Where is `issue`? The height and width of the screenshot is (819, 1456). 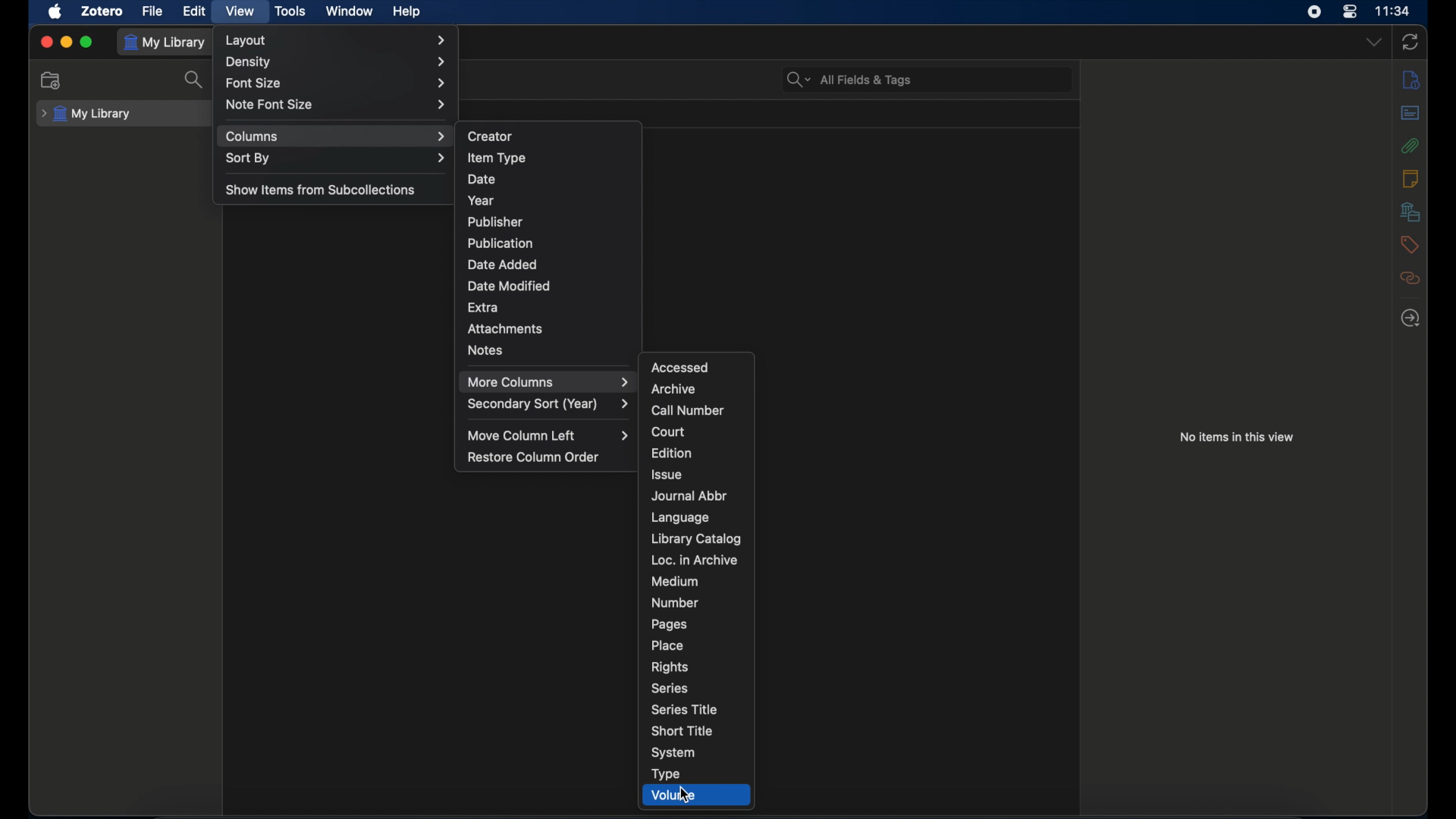 issue is located at coordinates (668, 475).